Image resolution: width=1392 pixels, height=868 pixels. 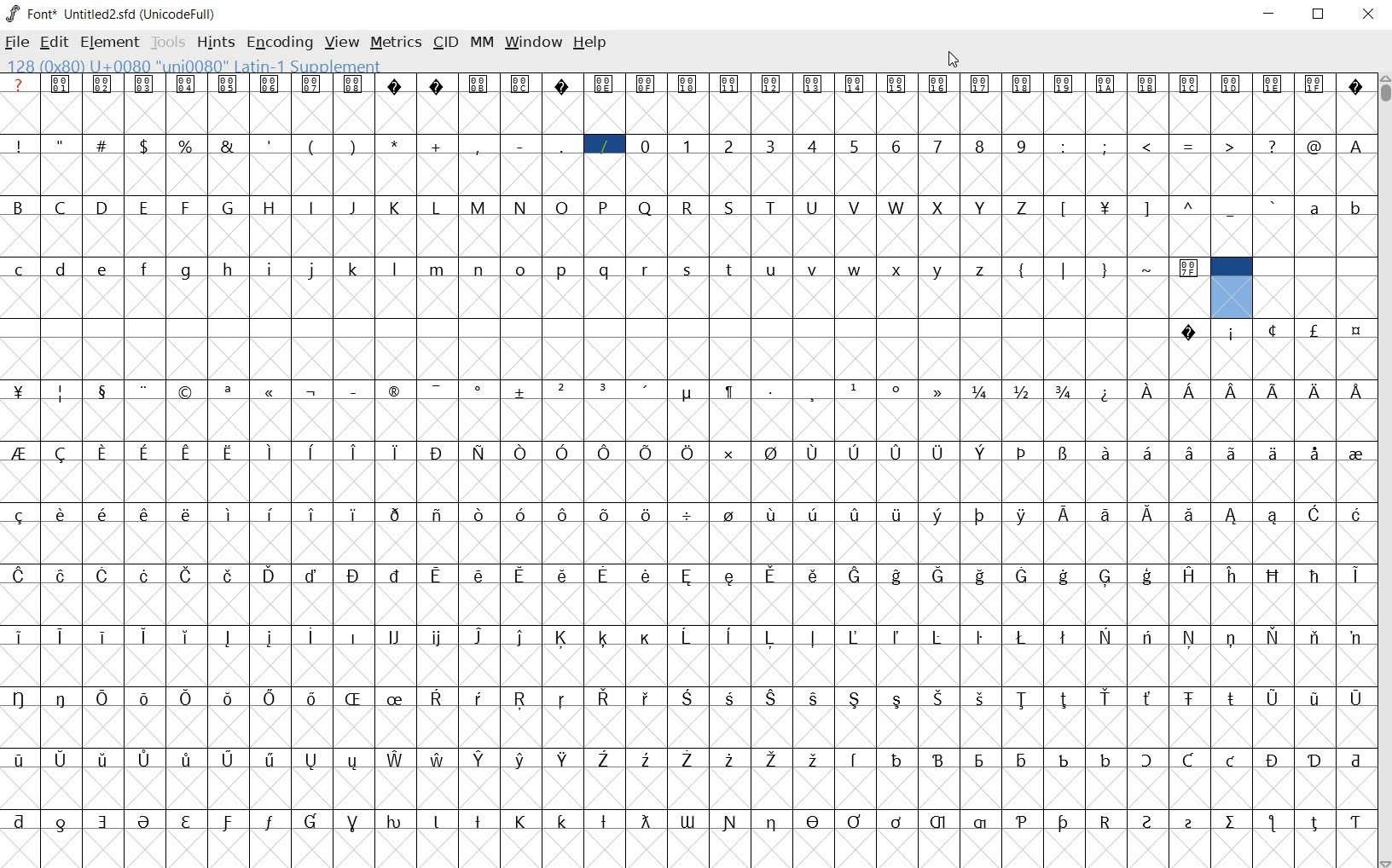 What do you see at coordinates (1313, 265) in the screenshot?
I see `empty spaces` at bounding box center [1313, 265].